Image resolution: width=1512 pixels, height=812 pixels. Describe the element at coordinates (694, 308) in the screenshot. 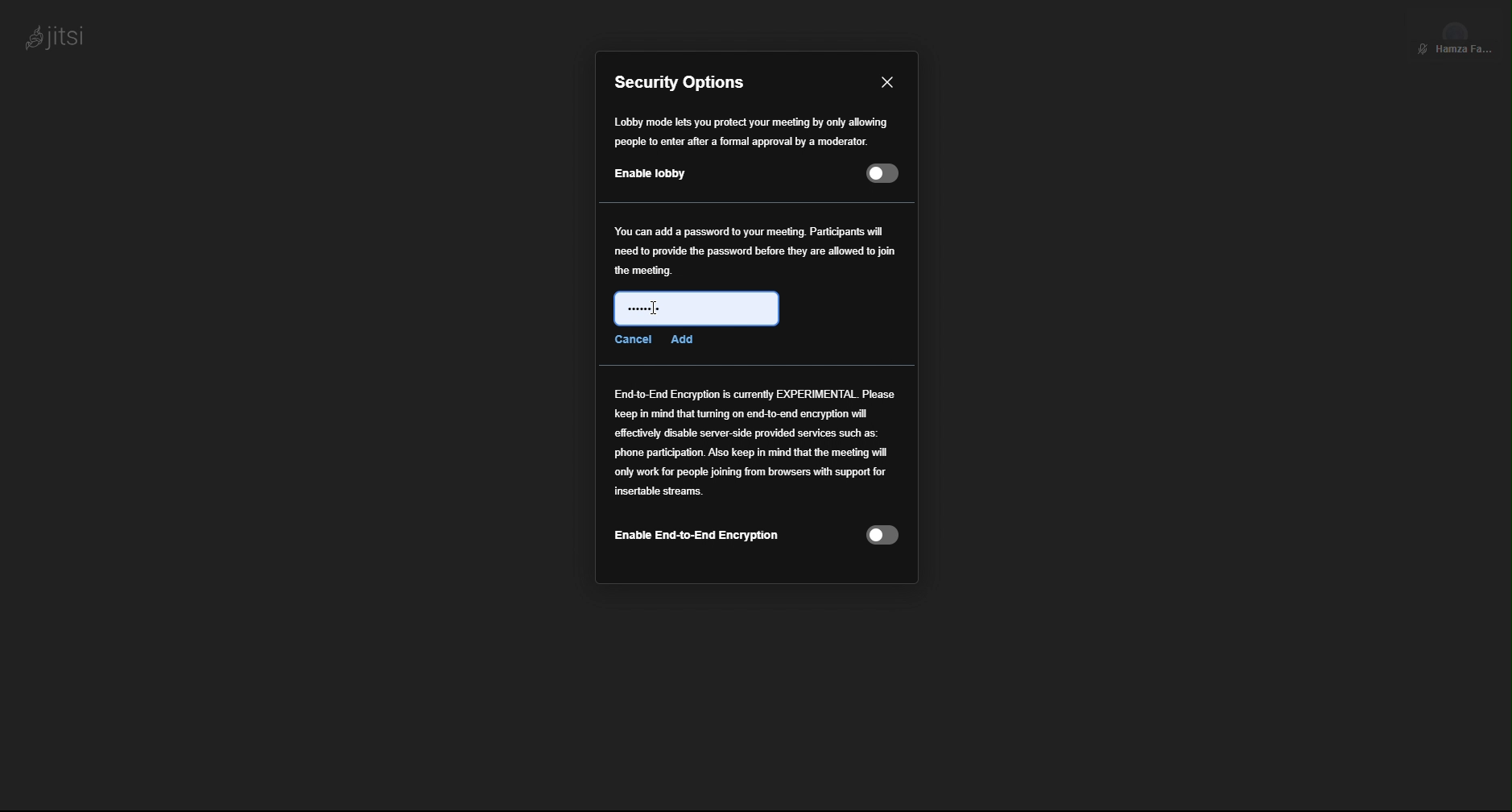

I see `Password` at that location.